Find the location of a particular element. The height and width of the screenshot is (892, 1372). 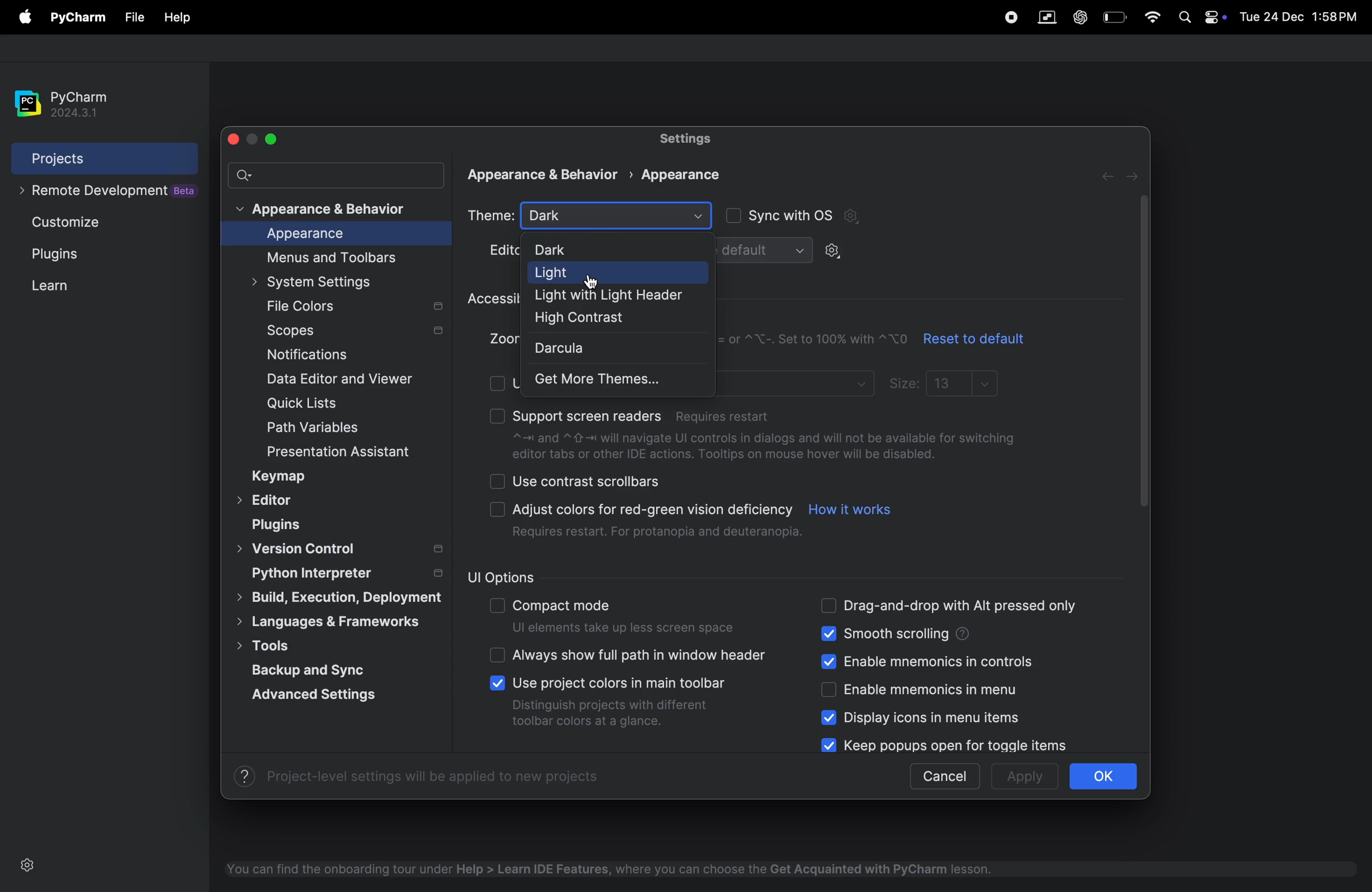

advance settings is located at coordinates (311, 697).